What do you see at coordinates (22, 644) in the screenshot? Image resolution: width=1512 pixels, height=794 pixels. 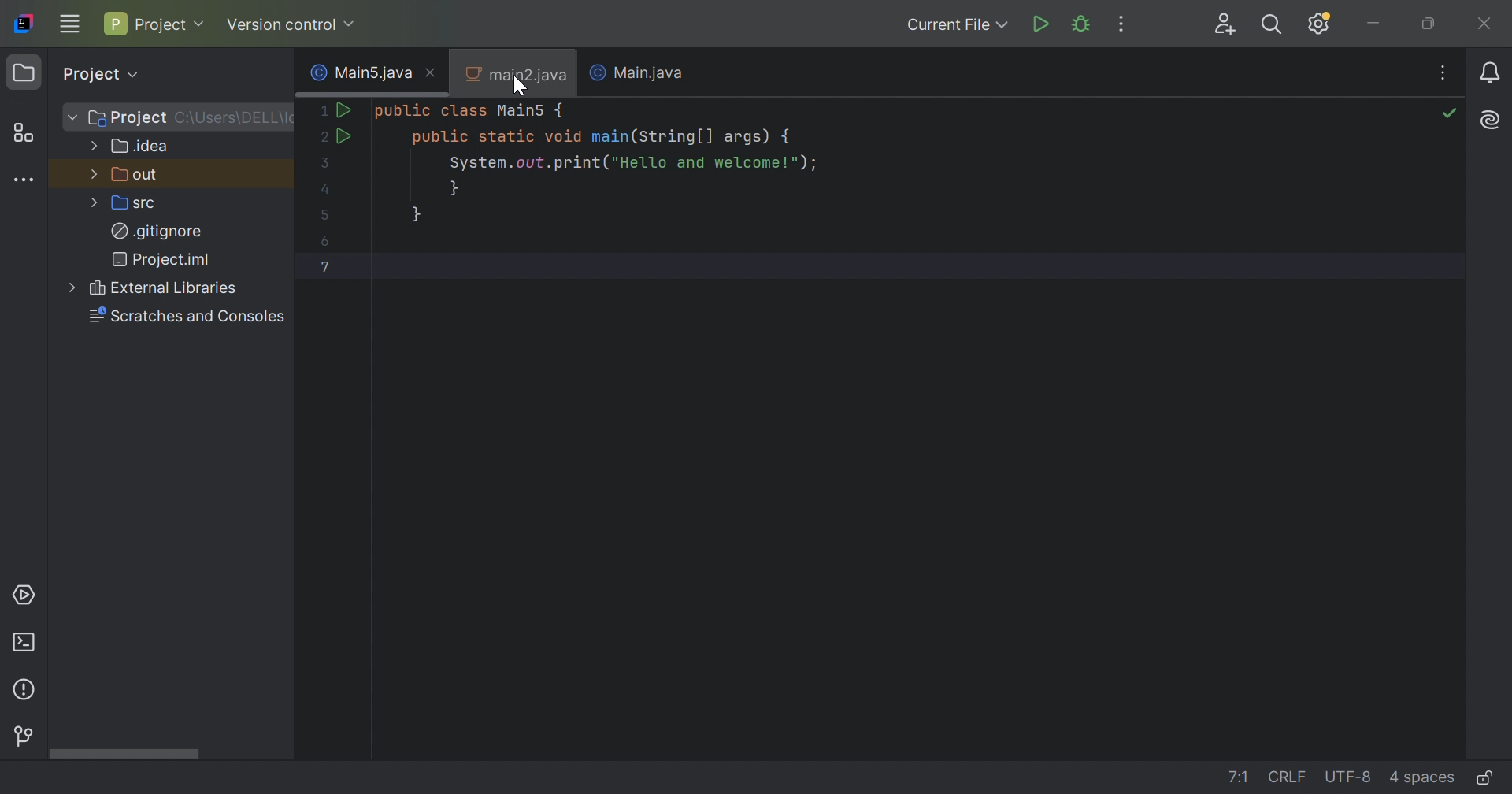 I see `Terminal` at bounding box center [22, 644].